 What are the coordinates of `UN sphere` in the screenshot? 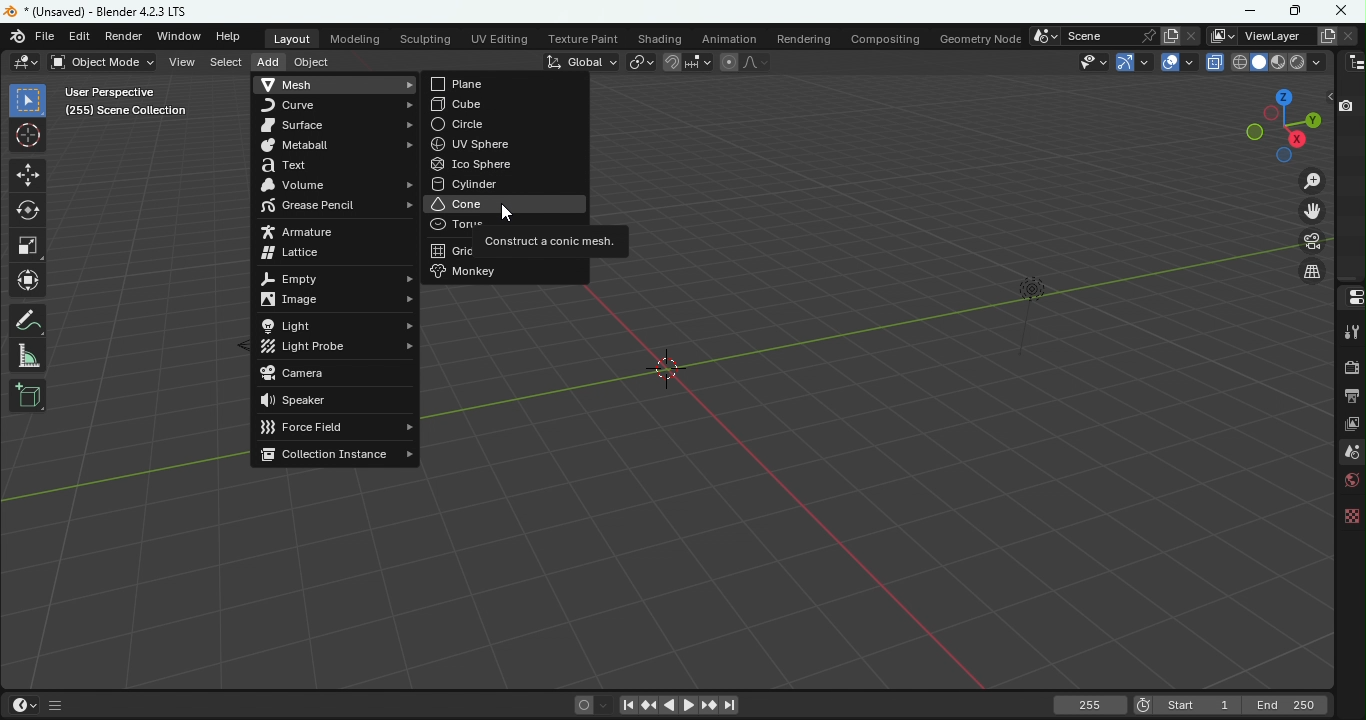 It's located at (506, 144).